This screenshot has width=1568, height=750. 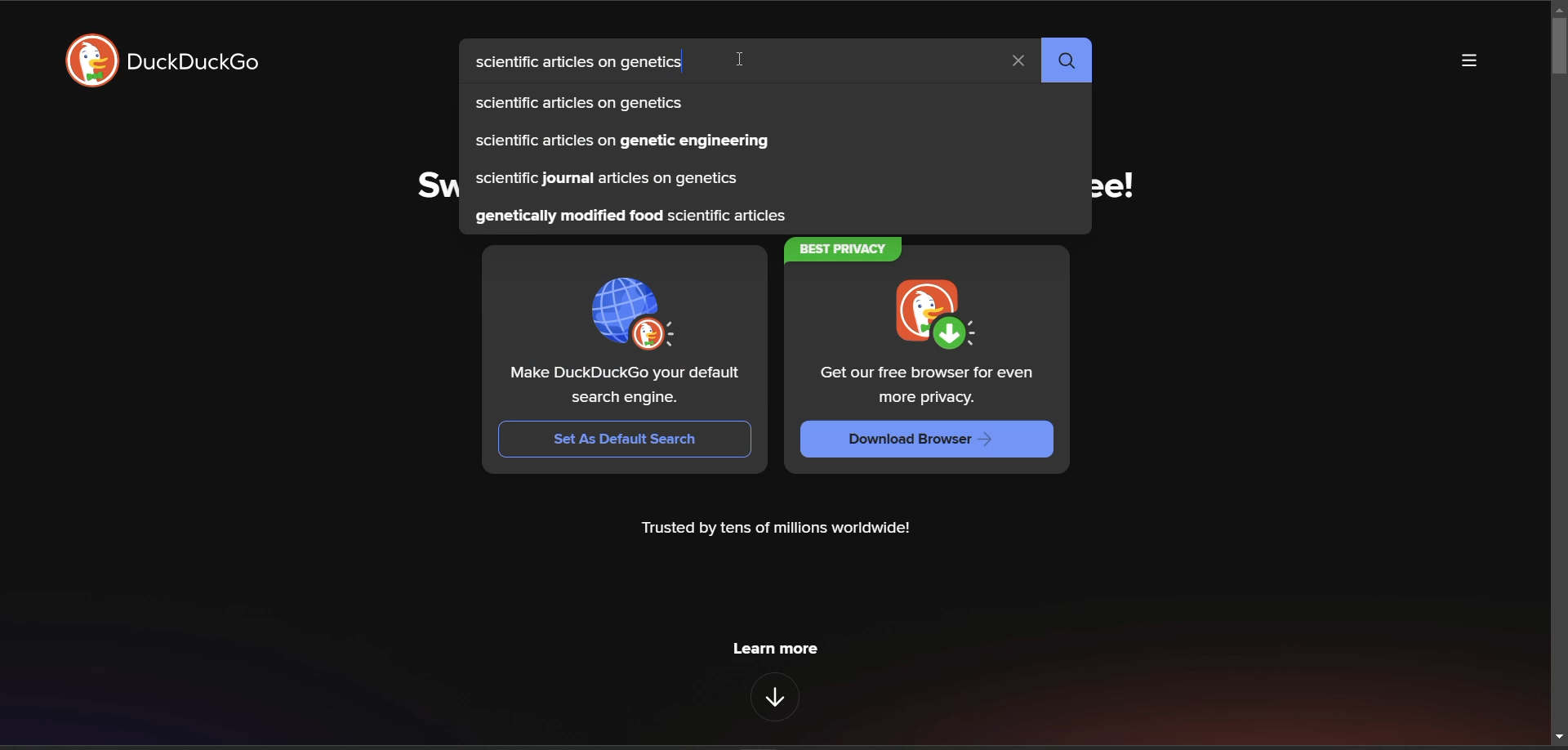 What do you see at coordinates (1469, 61) in the screenshot?
I see `more options` at bounding box center [1469, 61].